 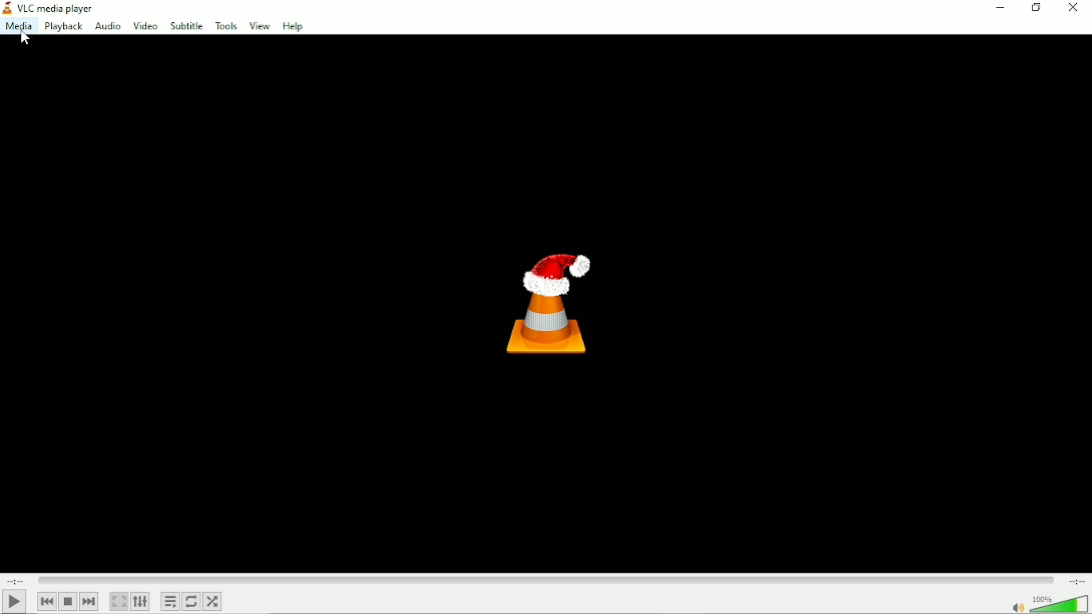 I want to click on Help, so click(x=293, y=25).